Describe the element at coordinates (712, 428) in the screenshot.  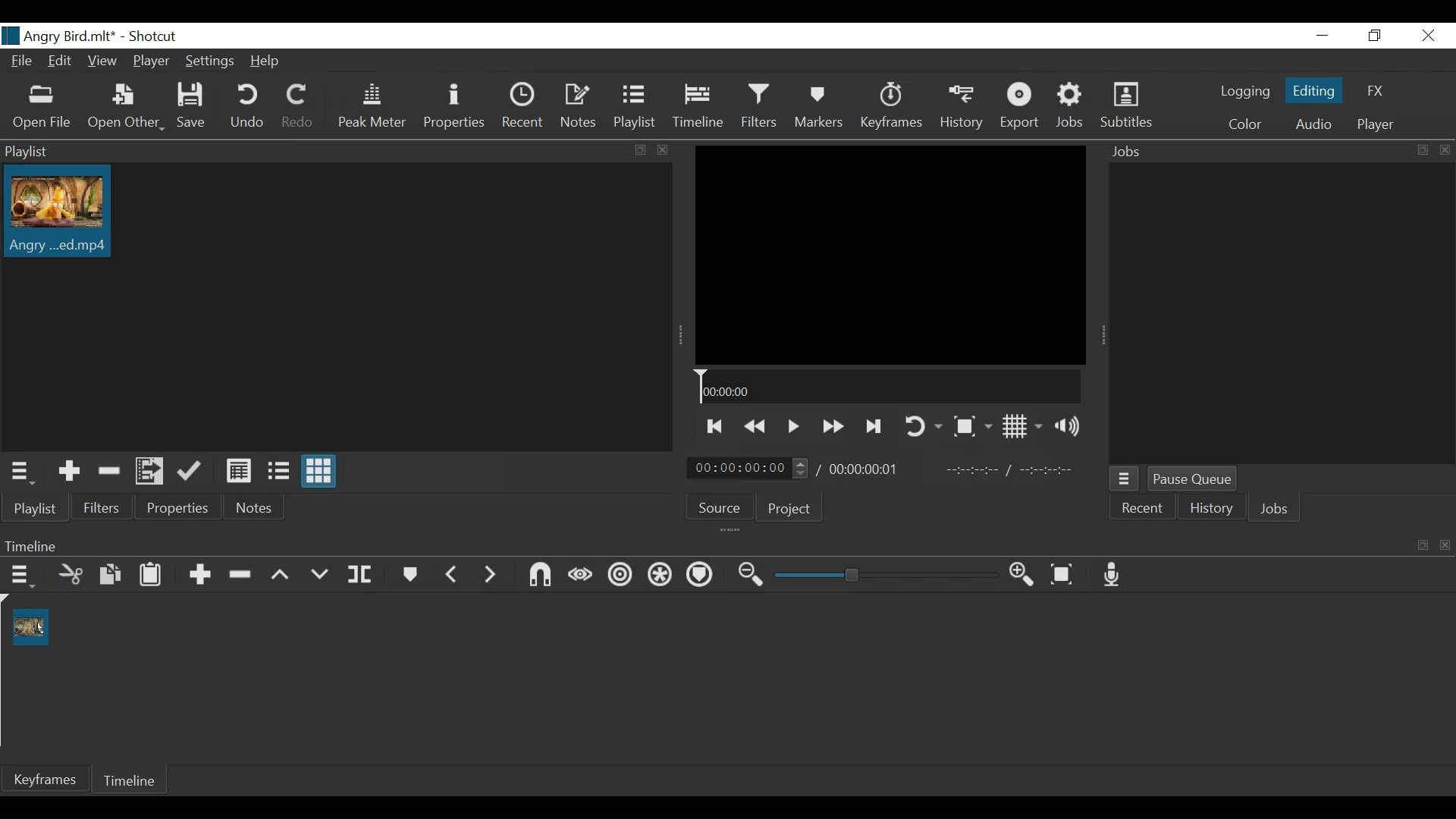
I see `Skip to the next point` at that location.